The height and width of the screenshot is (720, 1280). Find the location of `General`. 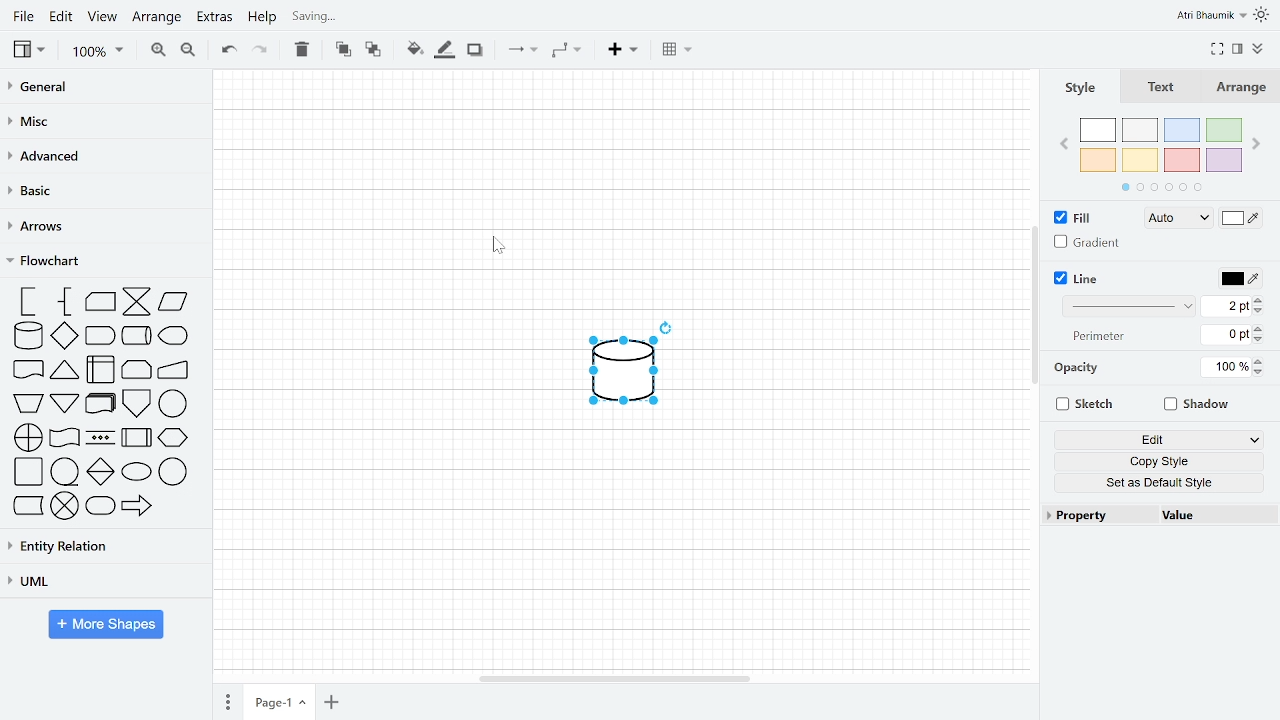

General is located at coordinates (97, 88).